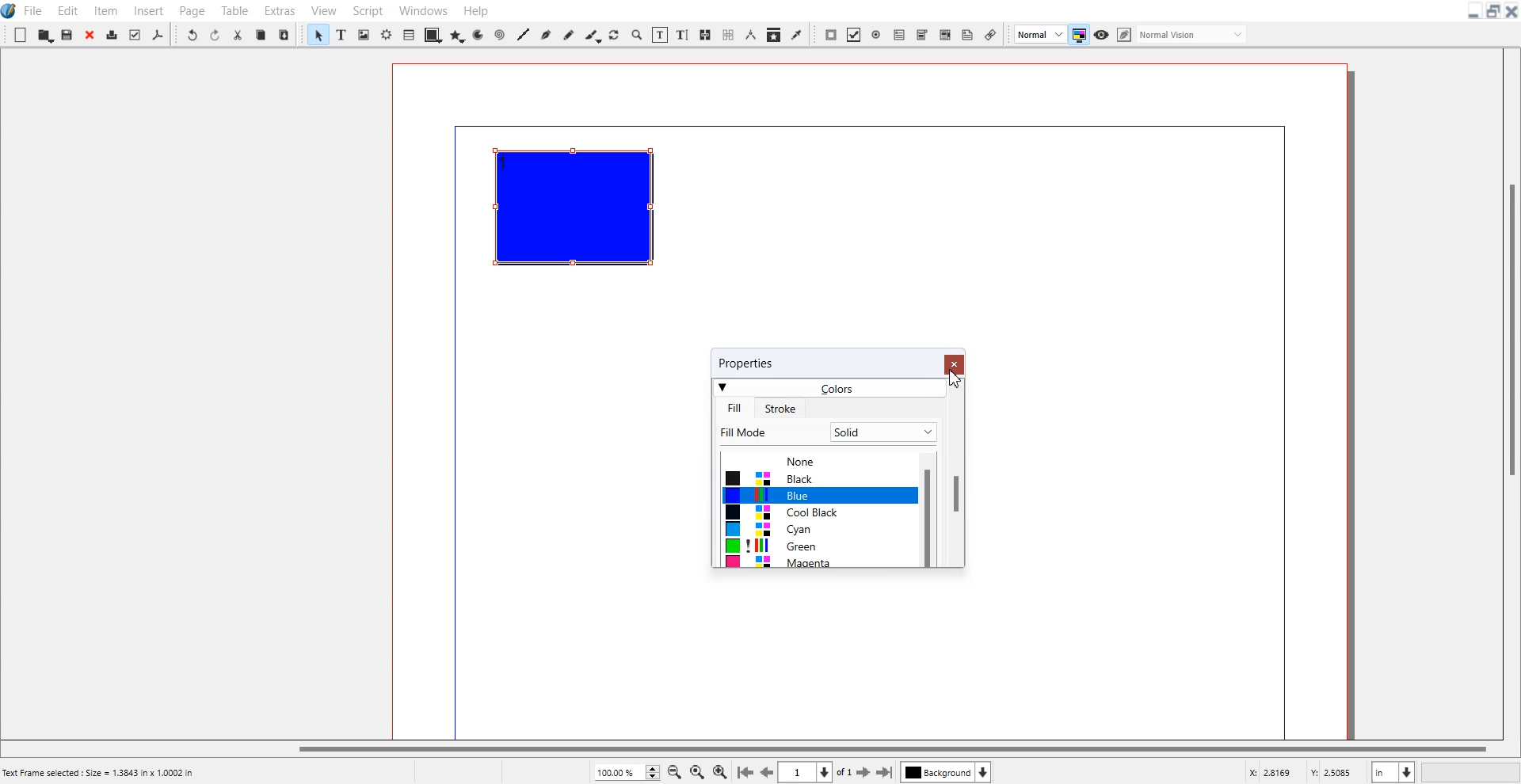 This screenshot has width=1521, height=784. I want to click on Line, so click(522, 34).